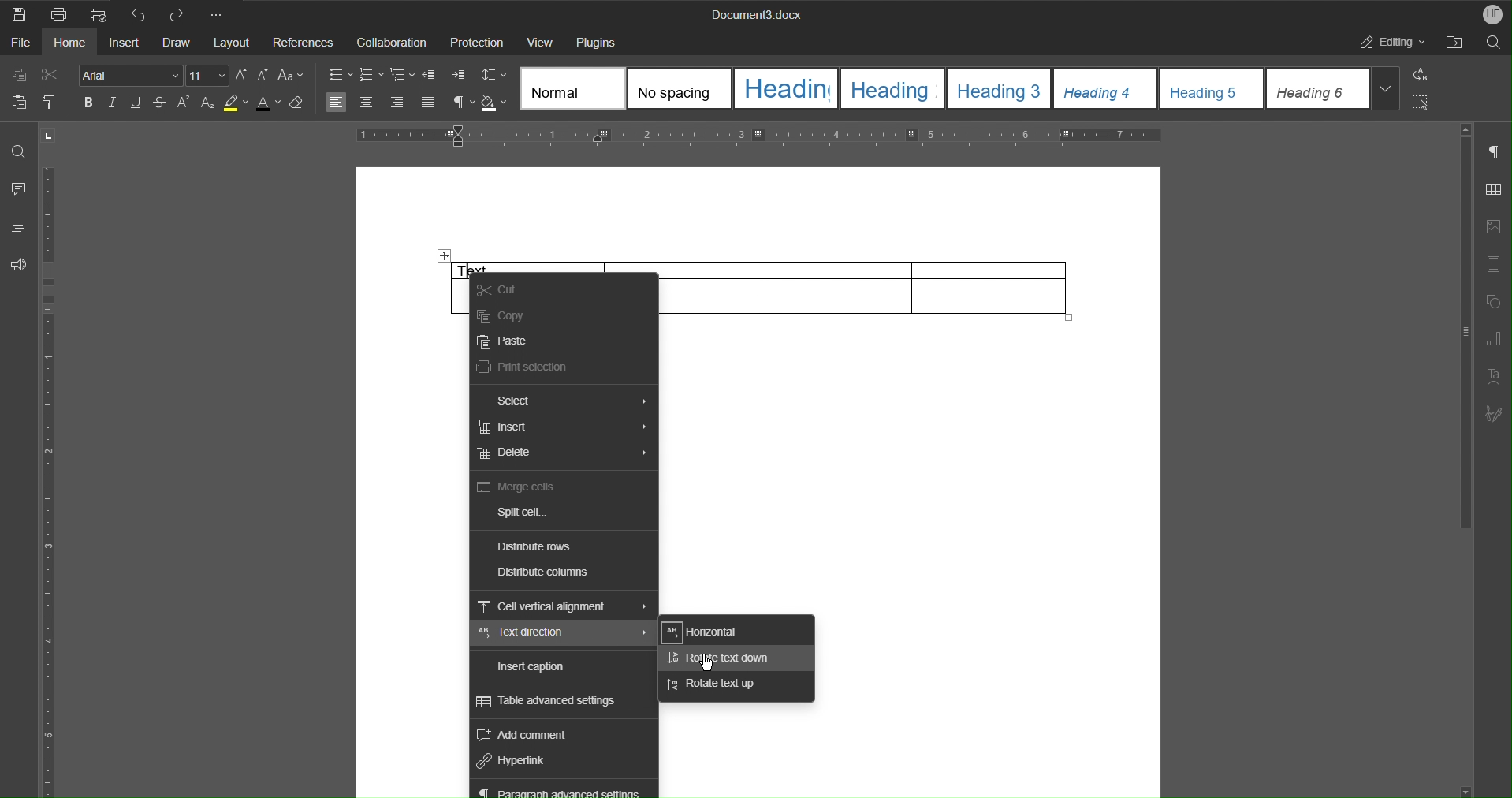 The image size is (1512, 798). I want to click on Select, so click(524, 401).